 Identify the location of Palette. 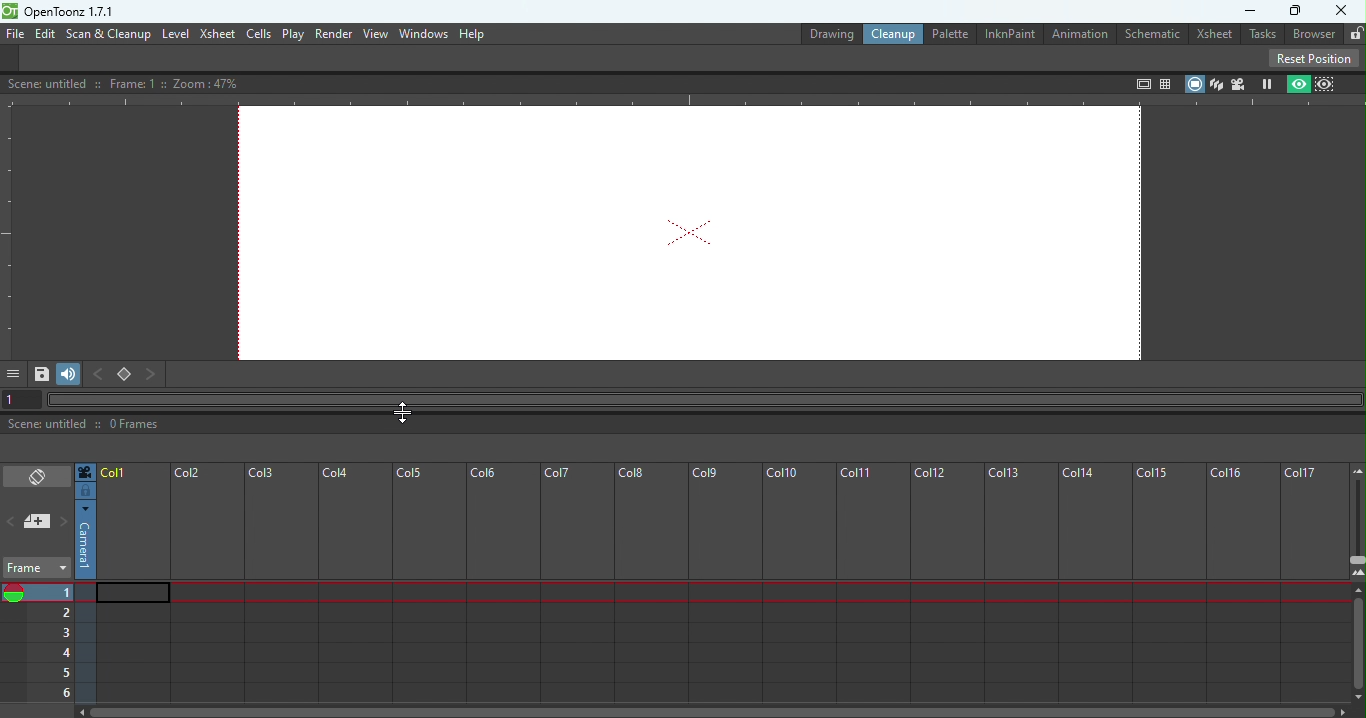
(948, 33).